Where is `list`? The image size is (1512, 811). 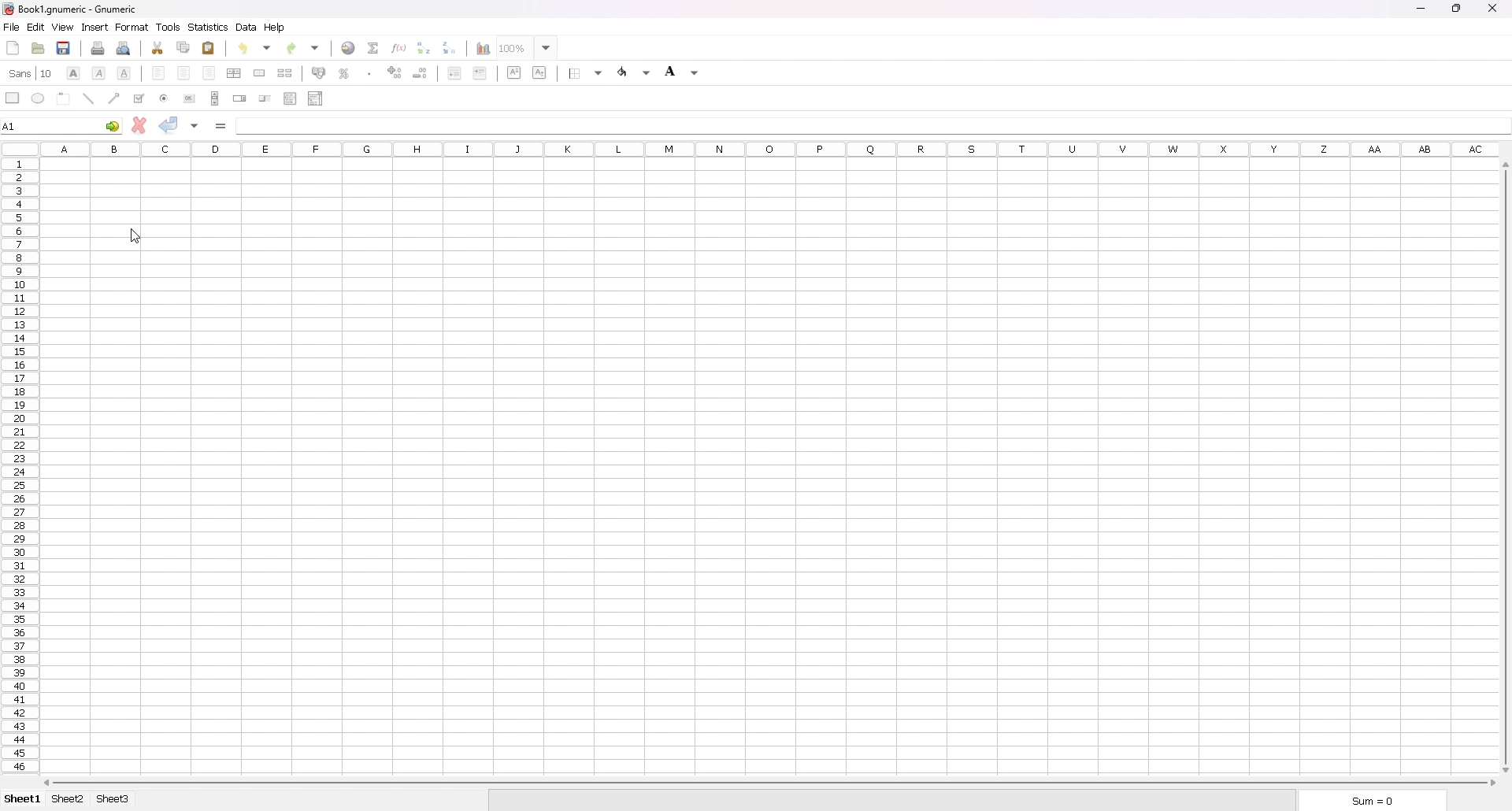
list is located at coordinates (291, 98).